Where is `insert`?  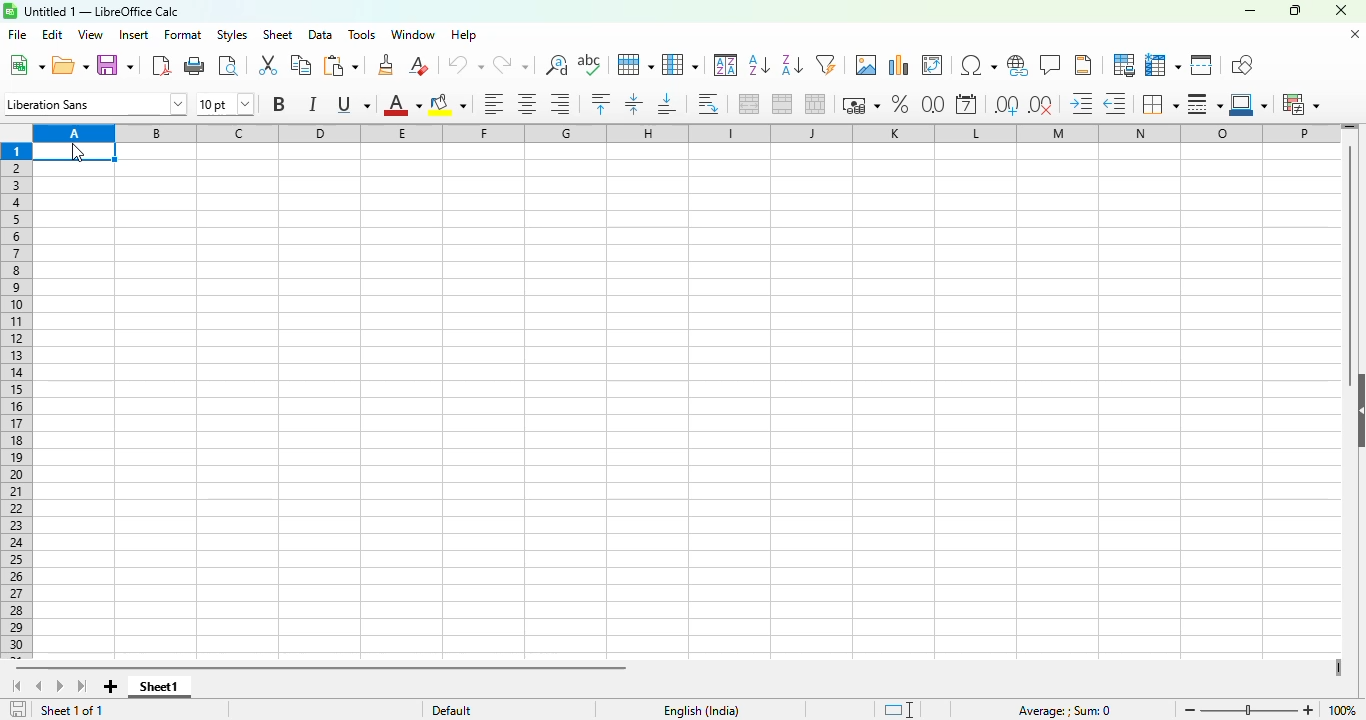 insert is located at coordinates (134, 34).